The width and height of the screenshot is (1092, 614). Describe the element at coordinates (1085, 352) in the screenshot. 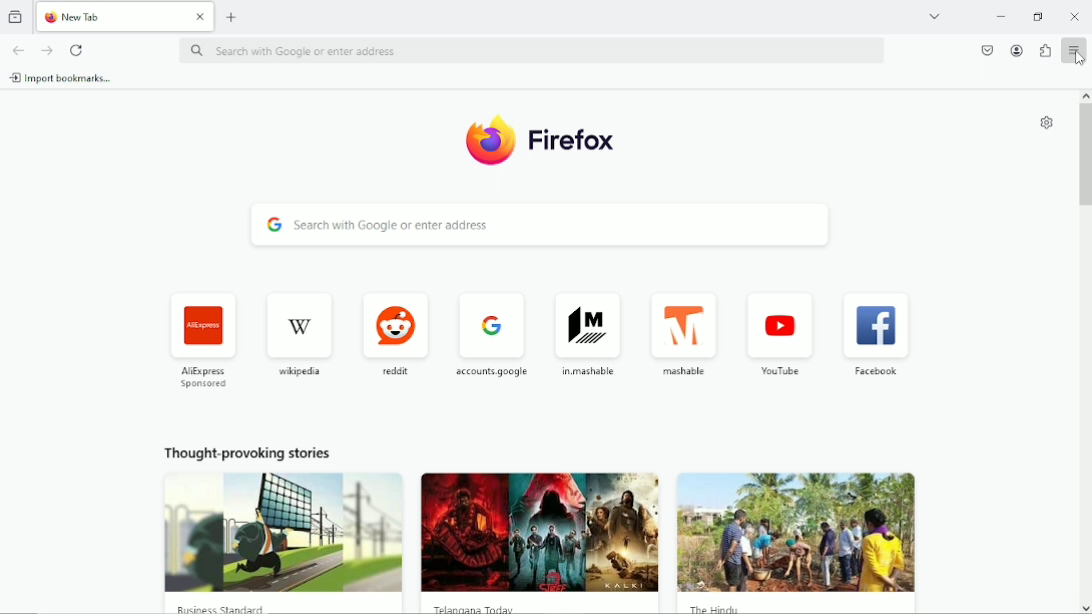

I see `vertical scroll bar` at that location.